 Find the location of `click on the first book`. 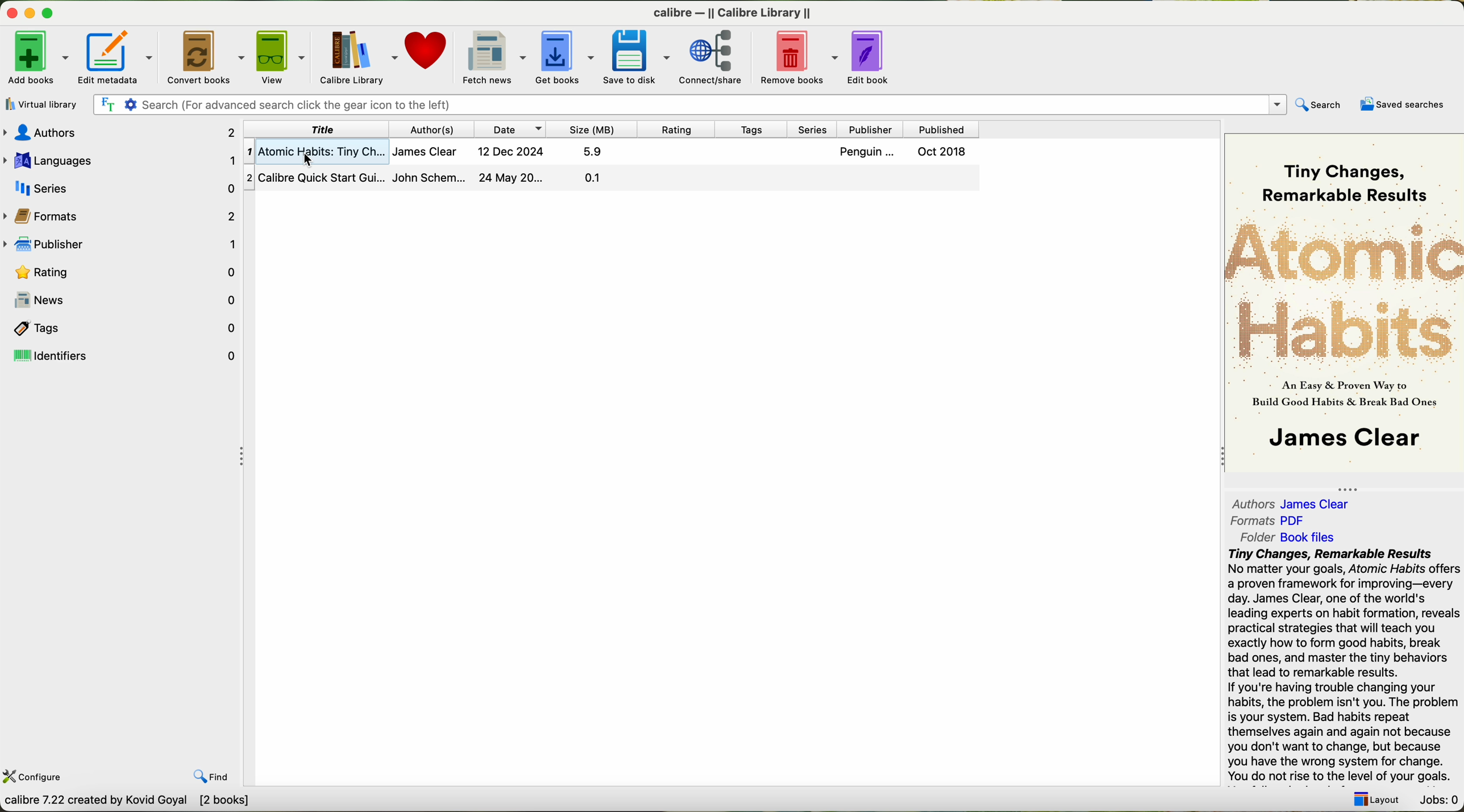

click on the first book is located at coordinates (610, 152).